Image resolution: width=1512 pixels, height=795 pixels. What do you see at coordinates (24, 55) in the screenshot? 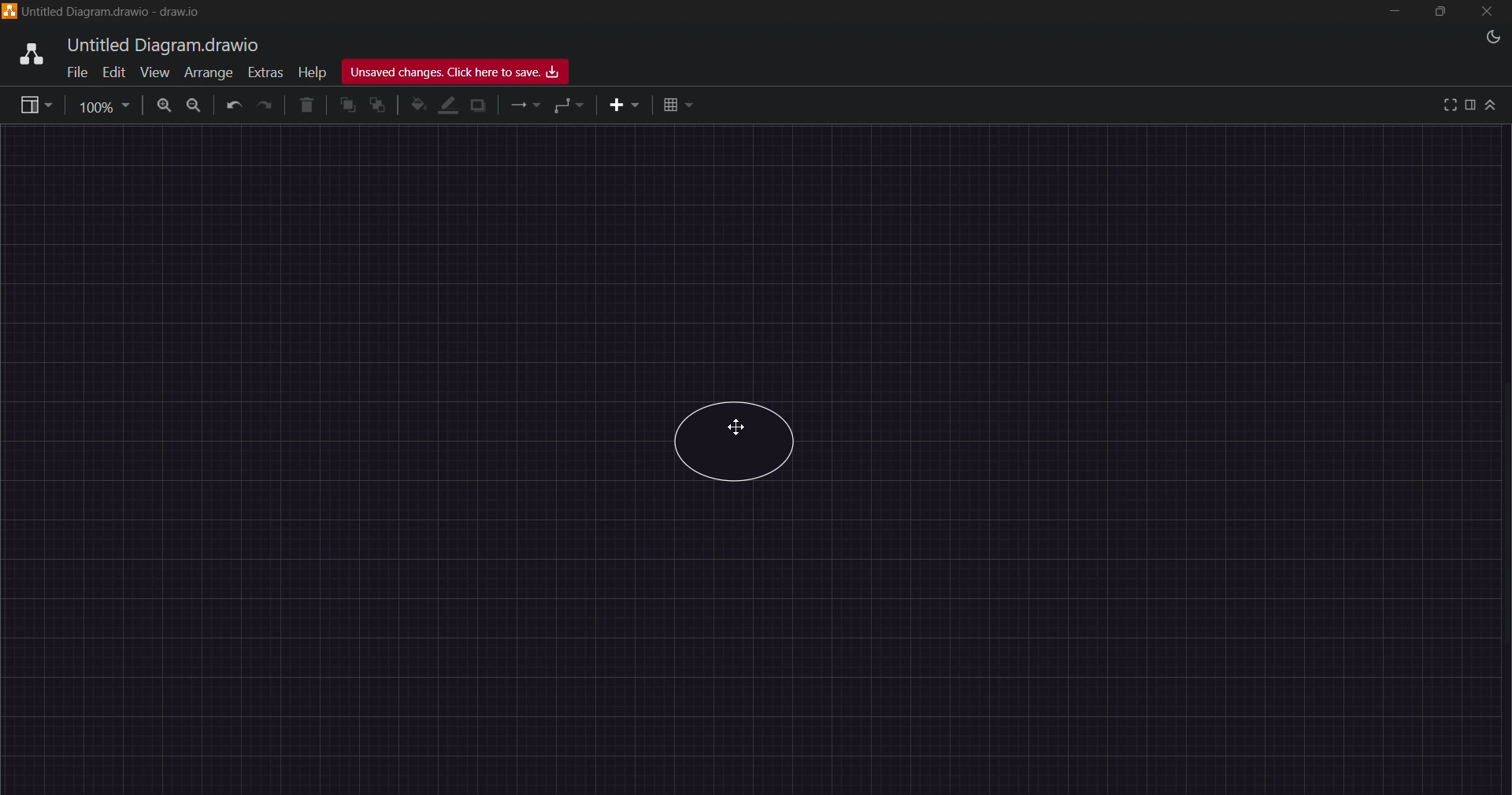
I see `draw.io logo` at bounding box center [24, 55].